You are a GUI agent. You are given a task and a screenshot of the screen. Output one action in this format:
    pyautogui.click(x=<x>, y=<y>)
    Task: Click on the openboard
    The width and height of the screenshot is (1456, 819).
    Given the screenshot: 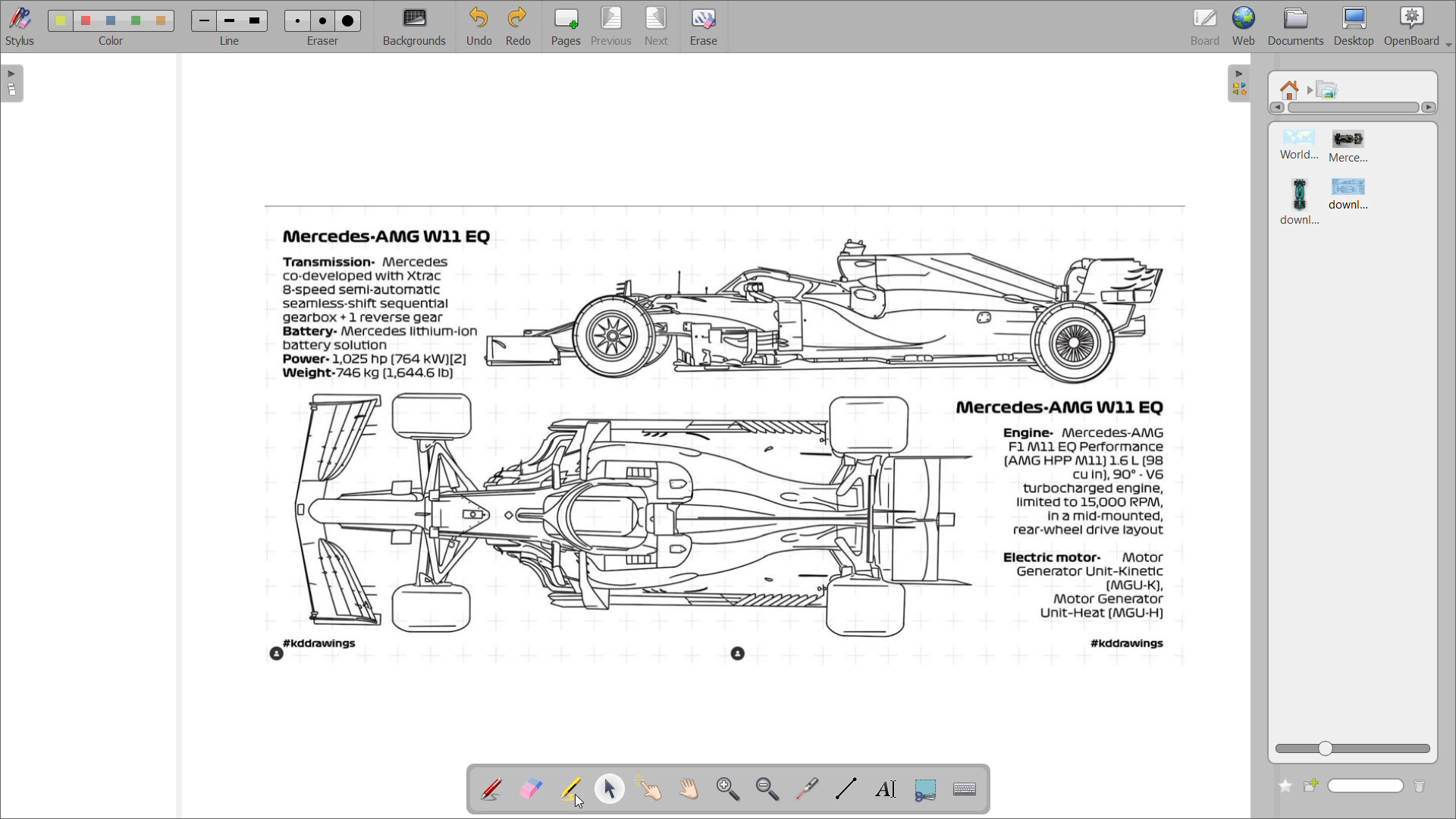 What is the action you would take?
    pyautogui.click(x=1420, y=27)
    